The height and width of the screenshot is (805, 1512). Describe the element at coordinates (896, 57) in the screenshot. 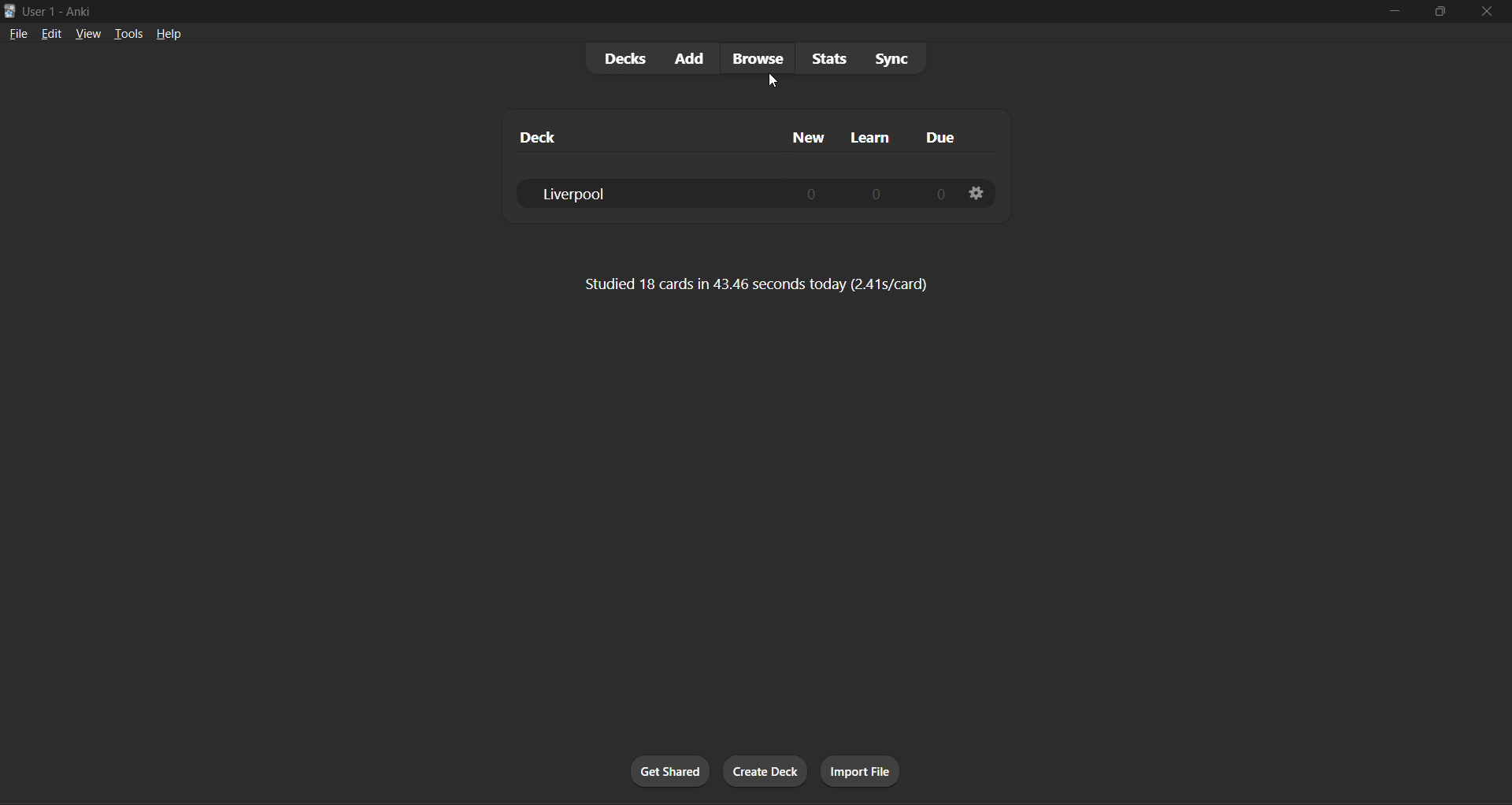

I see `sync` at that location.